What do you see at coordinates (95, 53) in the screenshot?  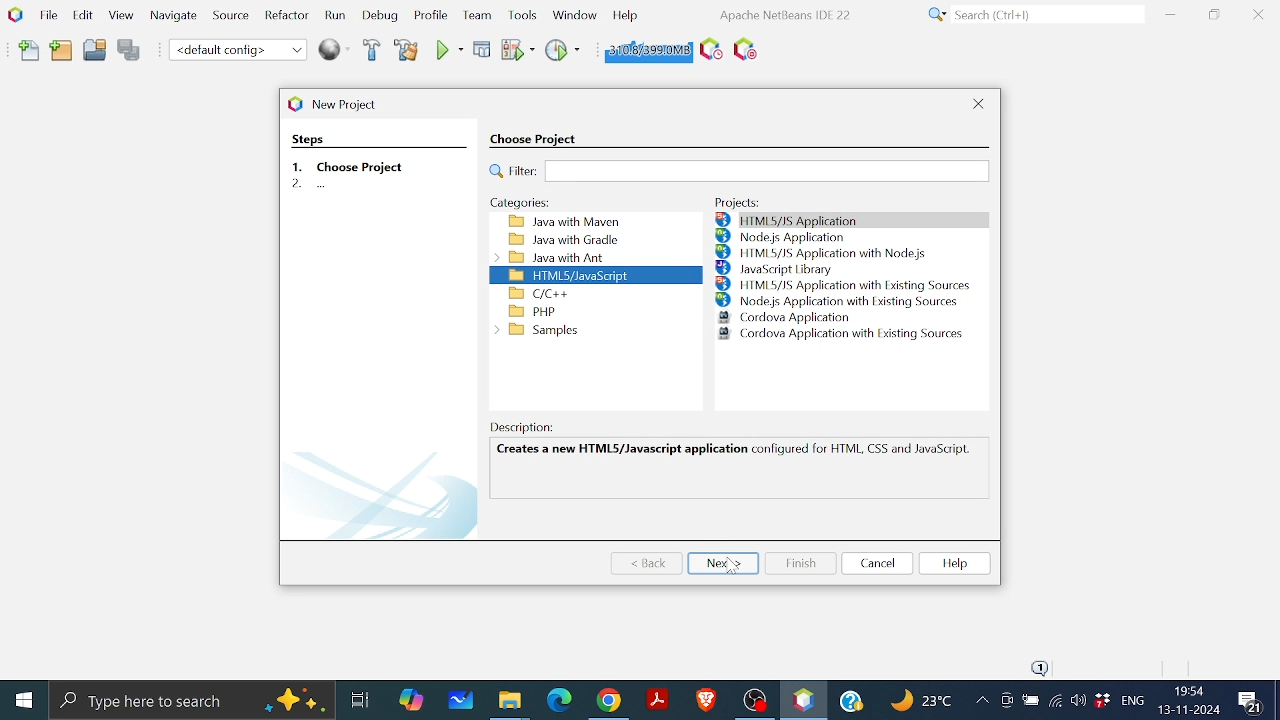 I see `Open project` at bounding box center [95, 53].